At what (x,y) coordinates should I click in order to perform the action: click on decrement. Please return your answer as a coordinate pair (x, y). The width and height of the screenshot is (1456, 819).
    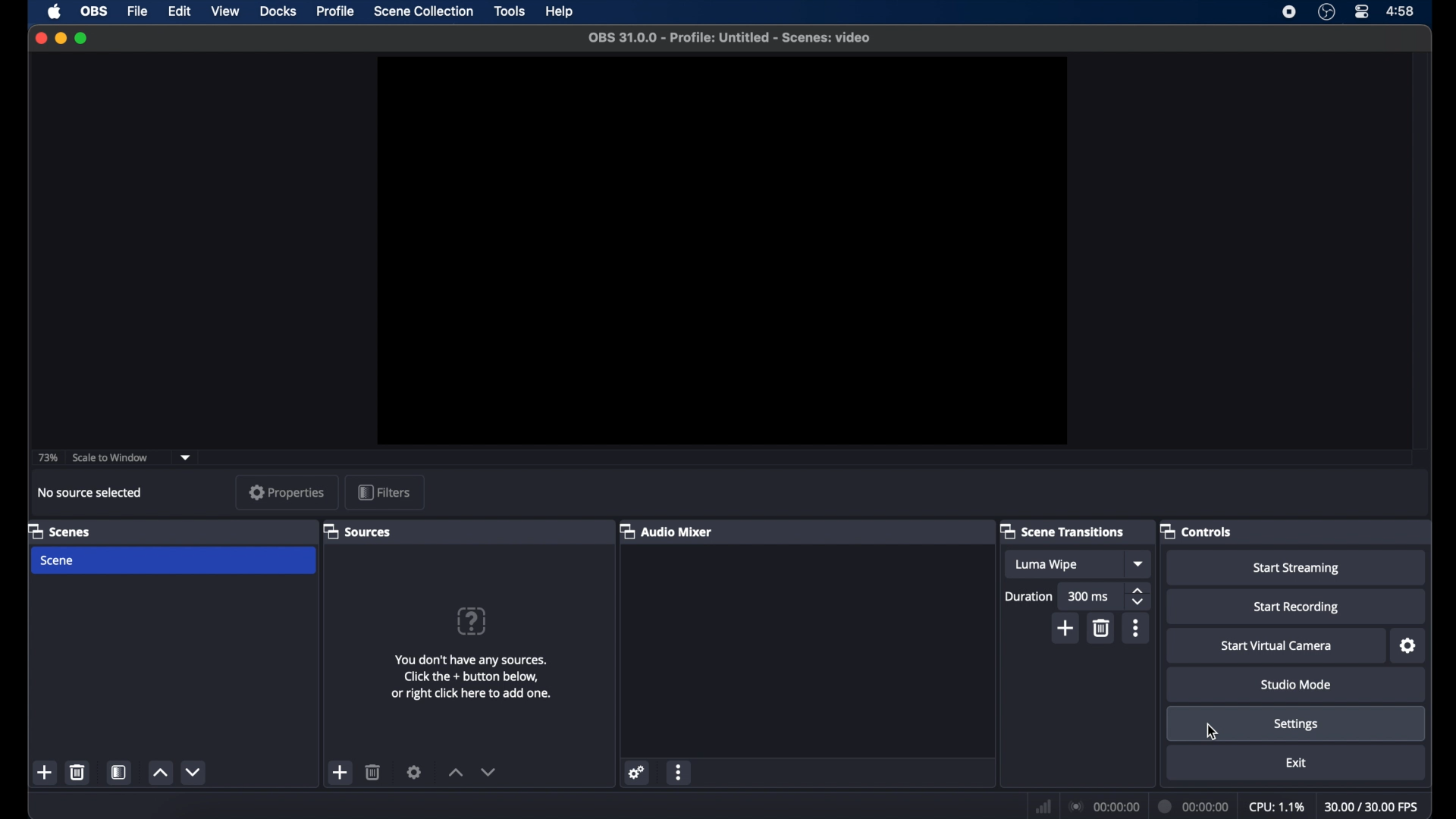
    Looking at the image, I should click on (194, 772).